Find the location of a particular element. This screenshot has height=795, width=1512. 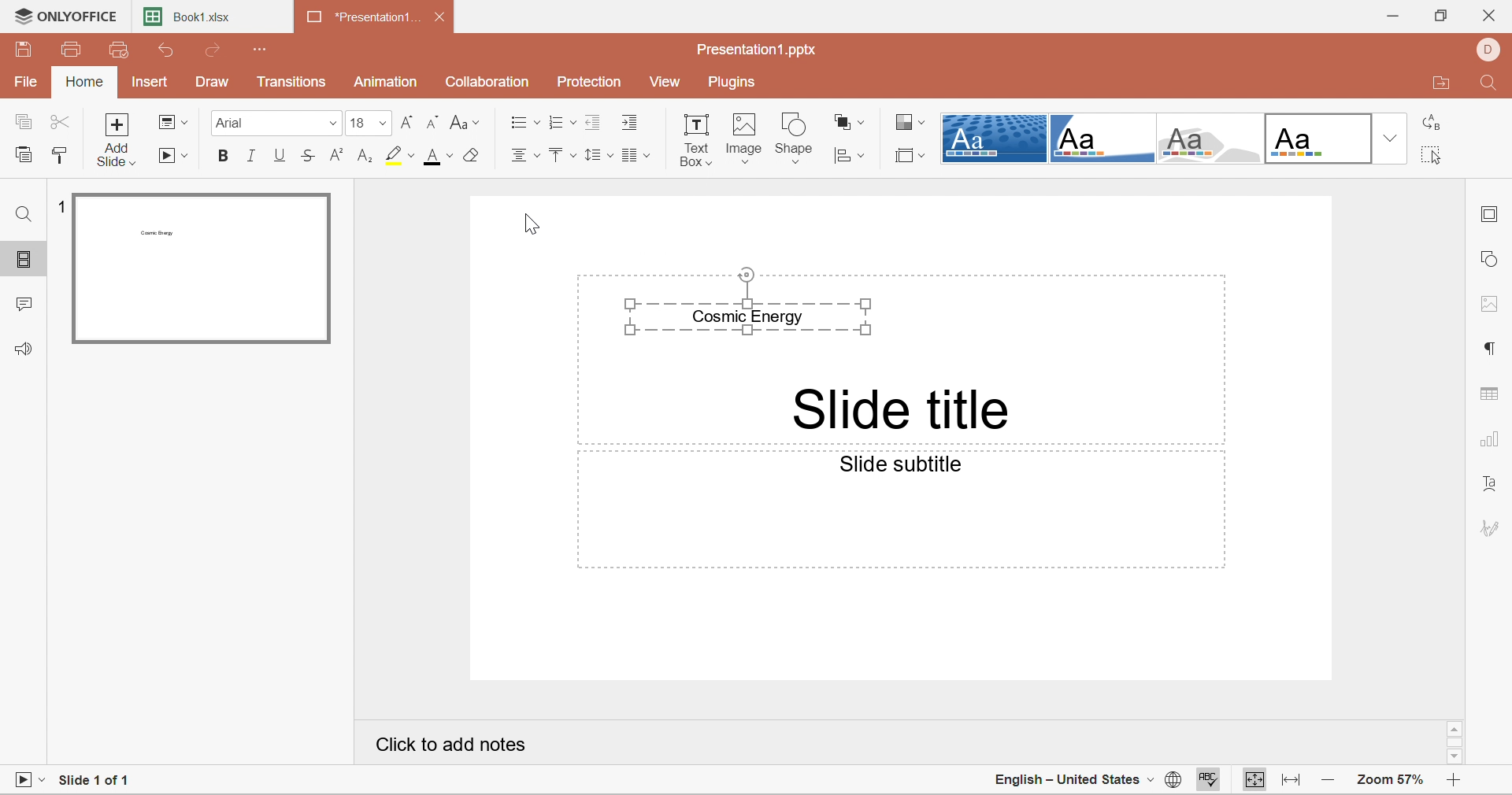

Increase Indent is located at coordinates (632, 122).